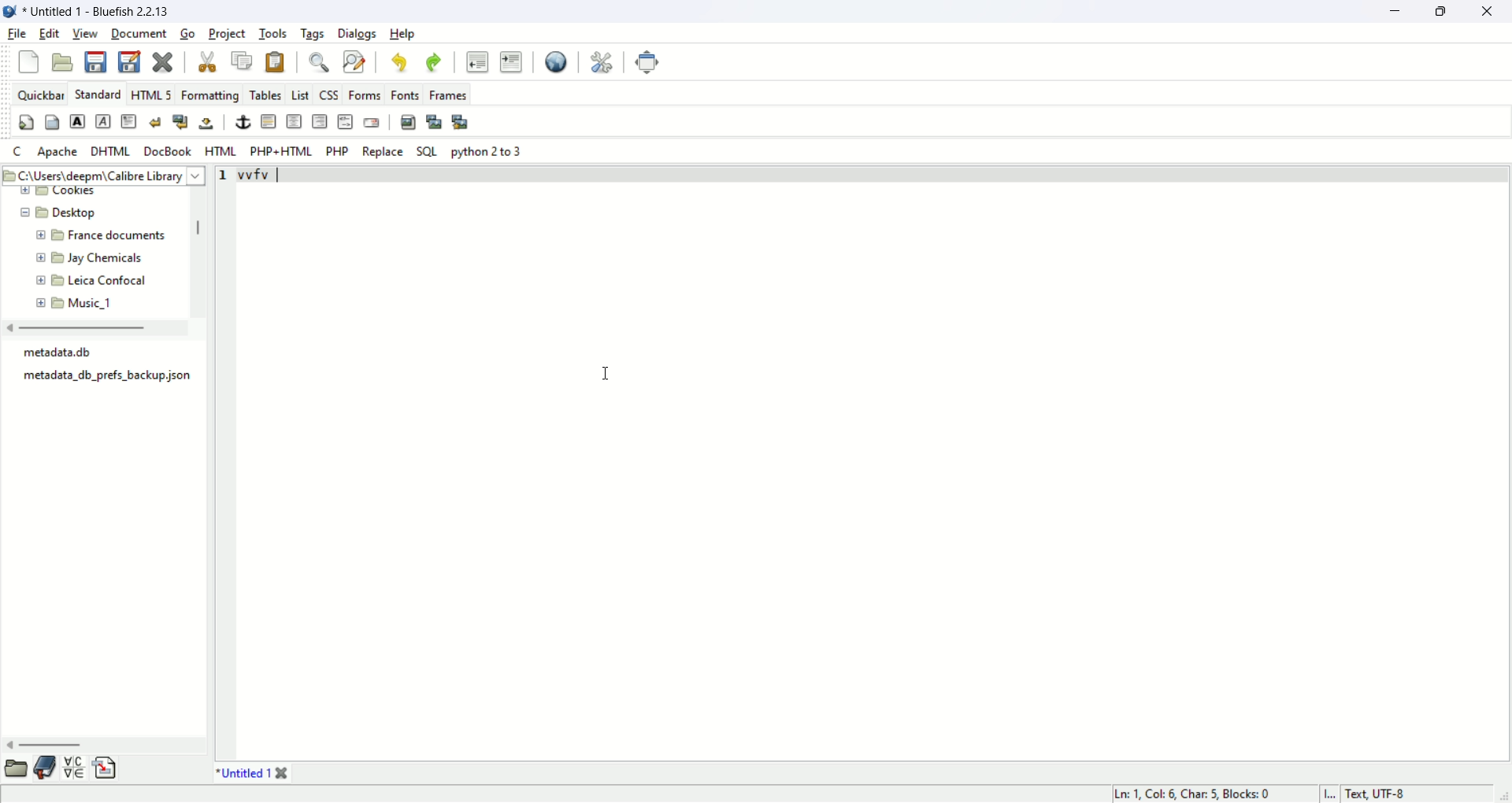 The image size is (1512, 803). What do you see at coordinates (99, 93) in the screenshot?
I see `standard` at bounding box center [99, 93].